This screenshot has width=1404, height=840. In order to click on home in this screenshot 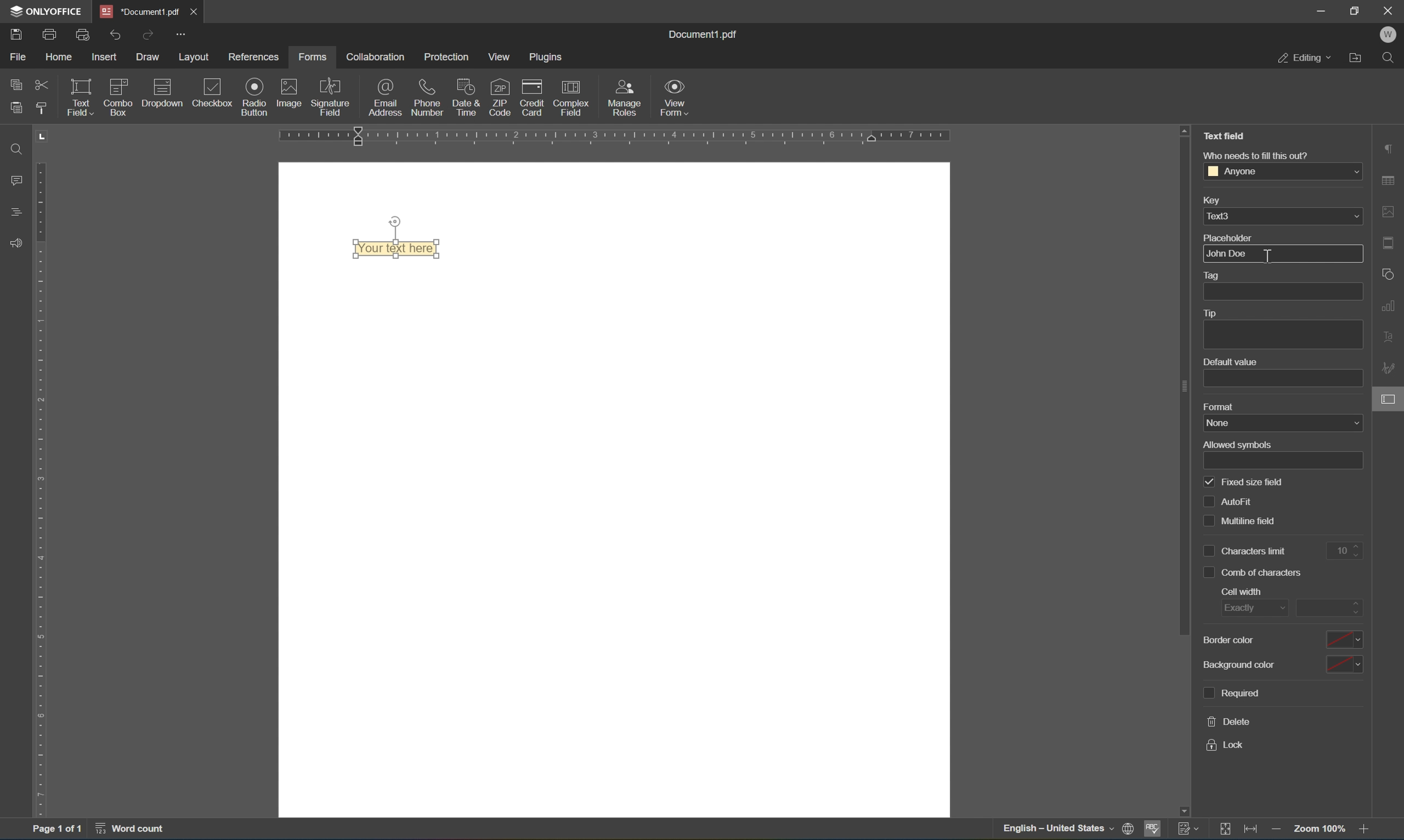, I will do `click(59, 58)`.